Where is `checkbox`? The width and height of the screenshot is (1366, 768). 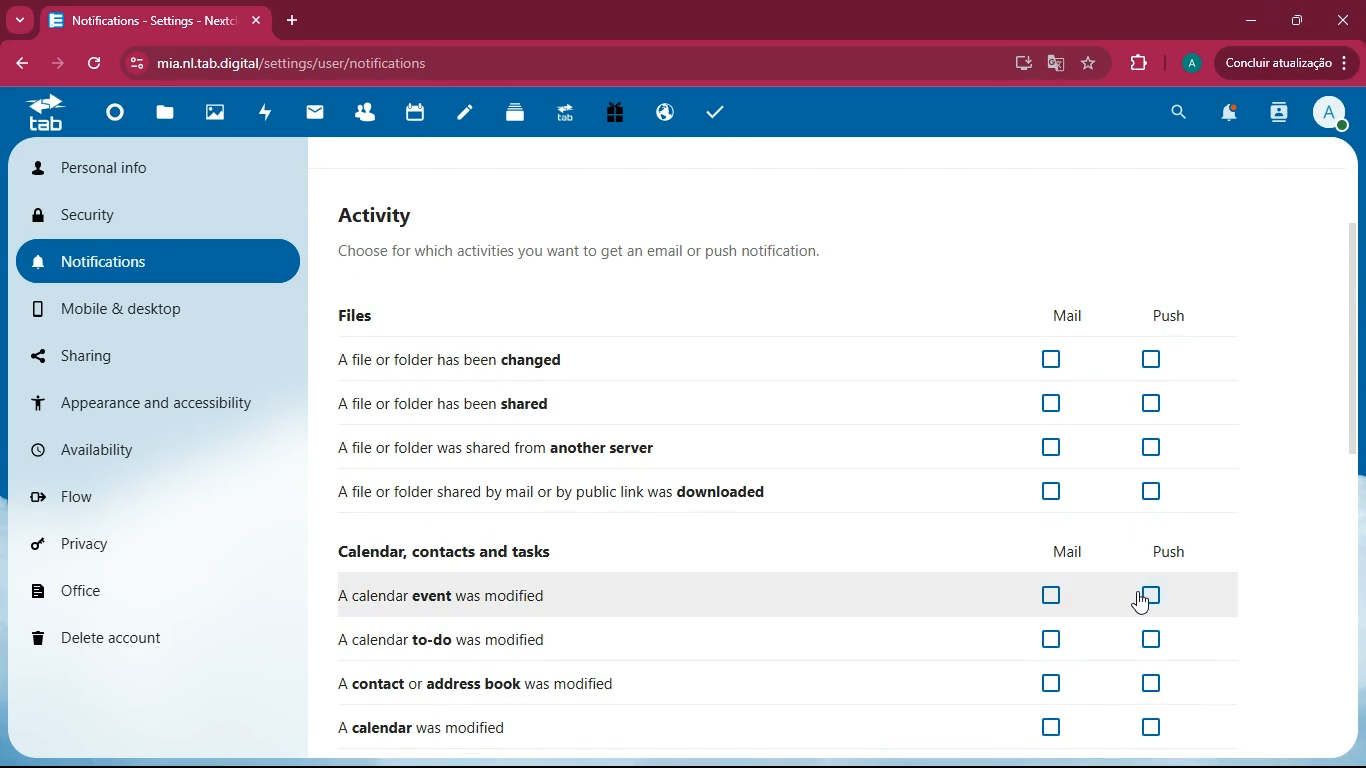 checkbox is located at coordinates (1153, 490).